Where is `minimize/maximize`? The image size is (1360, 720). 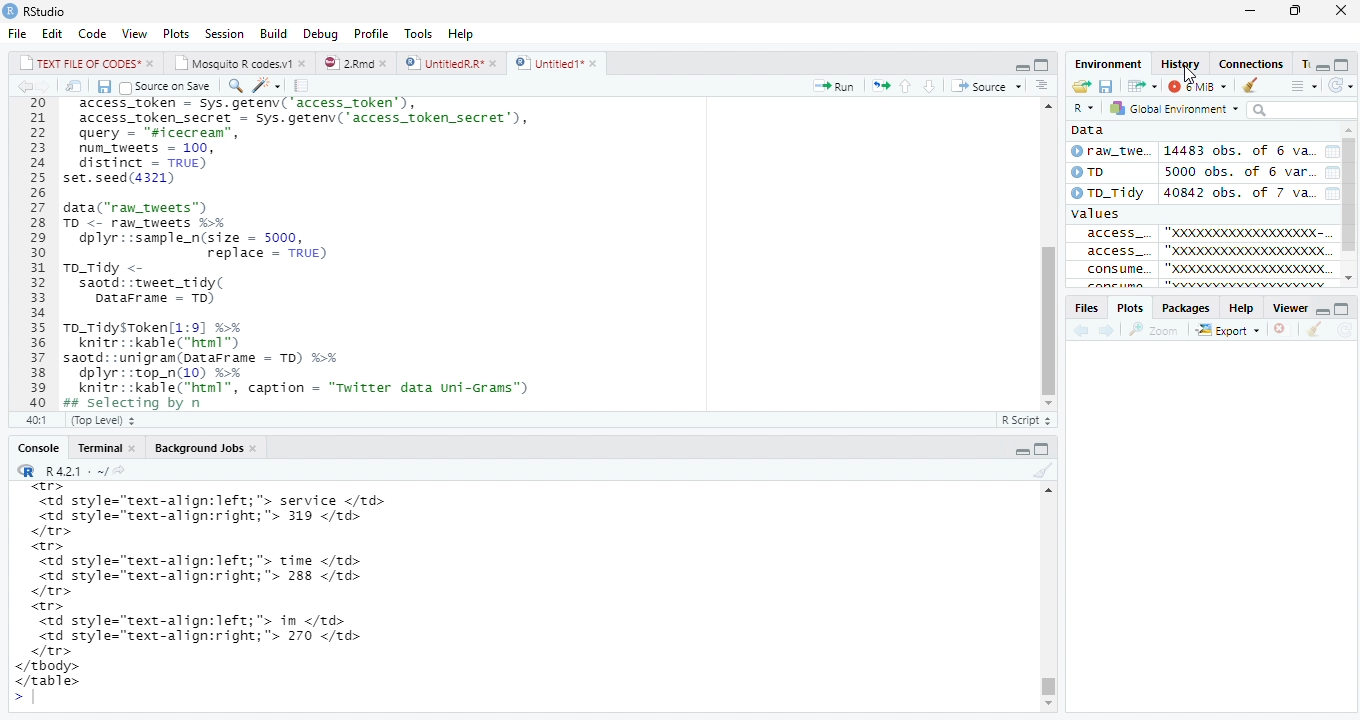 minimize/maximize is located at coordinates (1338, 61).